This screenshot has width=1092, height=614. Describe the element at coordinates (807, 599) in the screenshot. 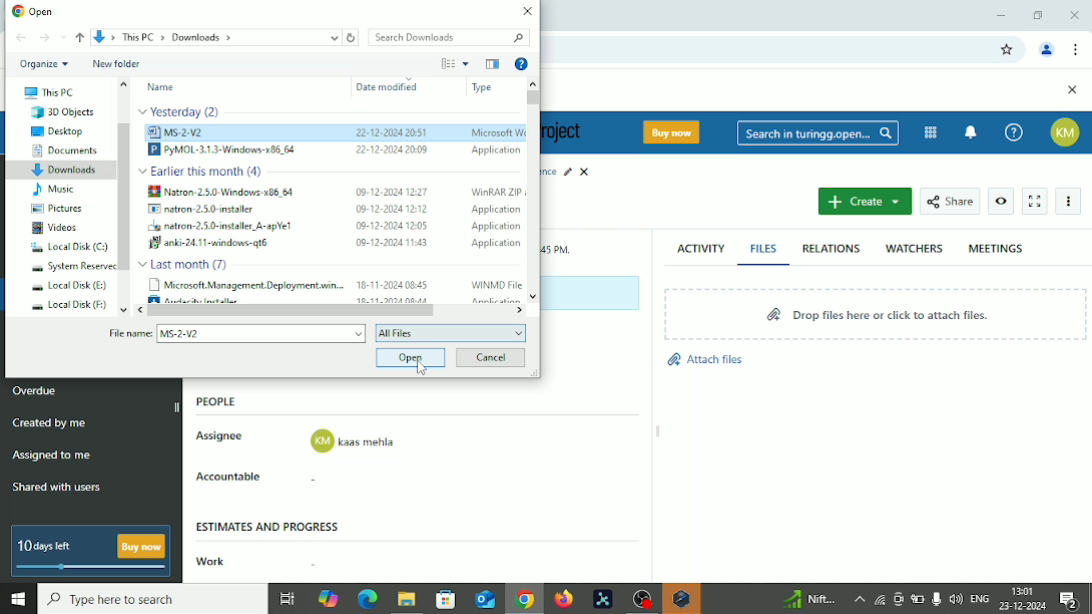

I see `Sensex` at that location.